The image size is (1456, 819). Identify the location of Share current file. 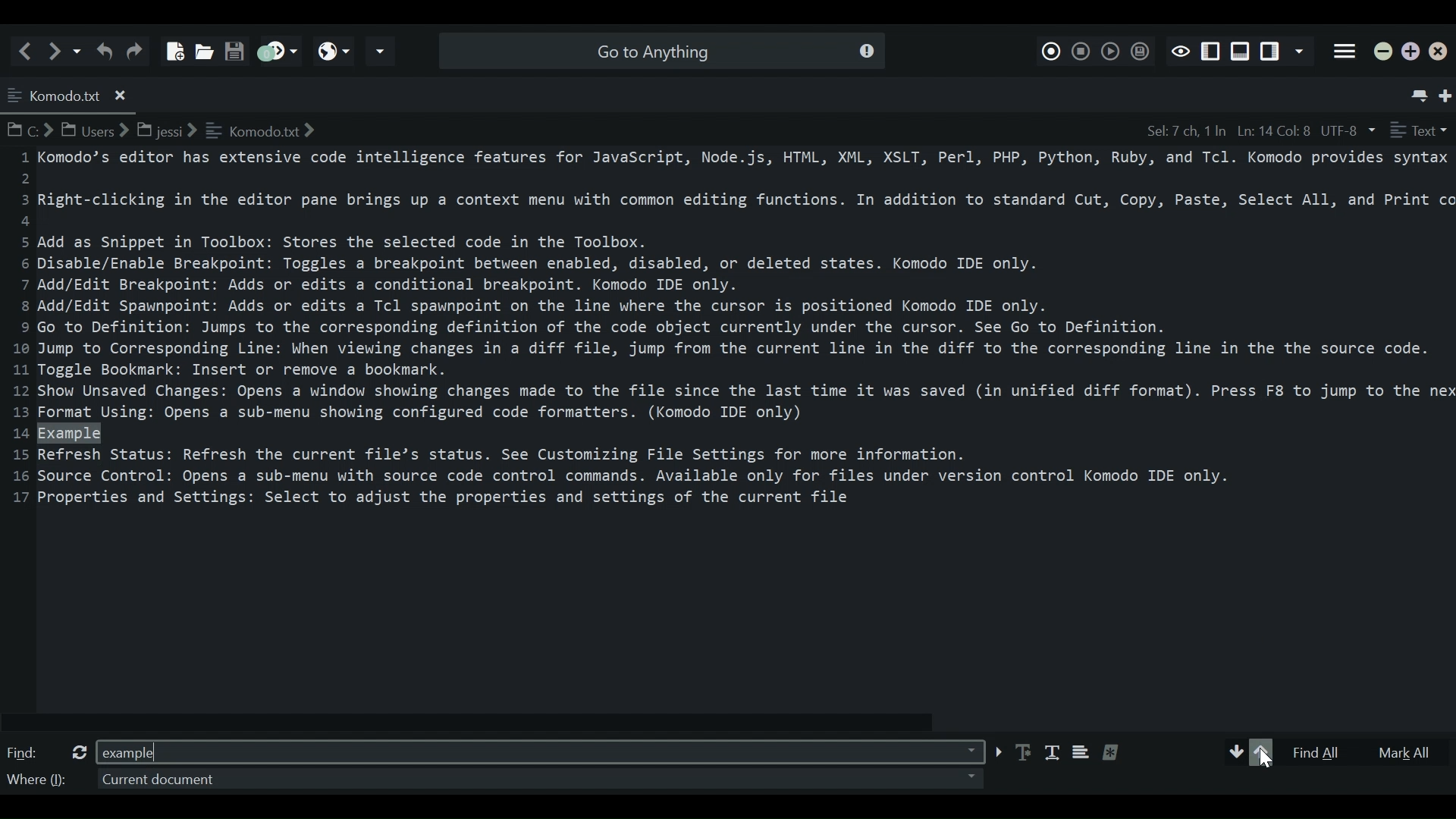
(381, 52).